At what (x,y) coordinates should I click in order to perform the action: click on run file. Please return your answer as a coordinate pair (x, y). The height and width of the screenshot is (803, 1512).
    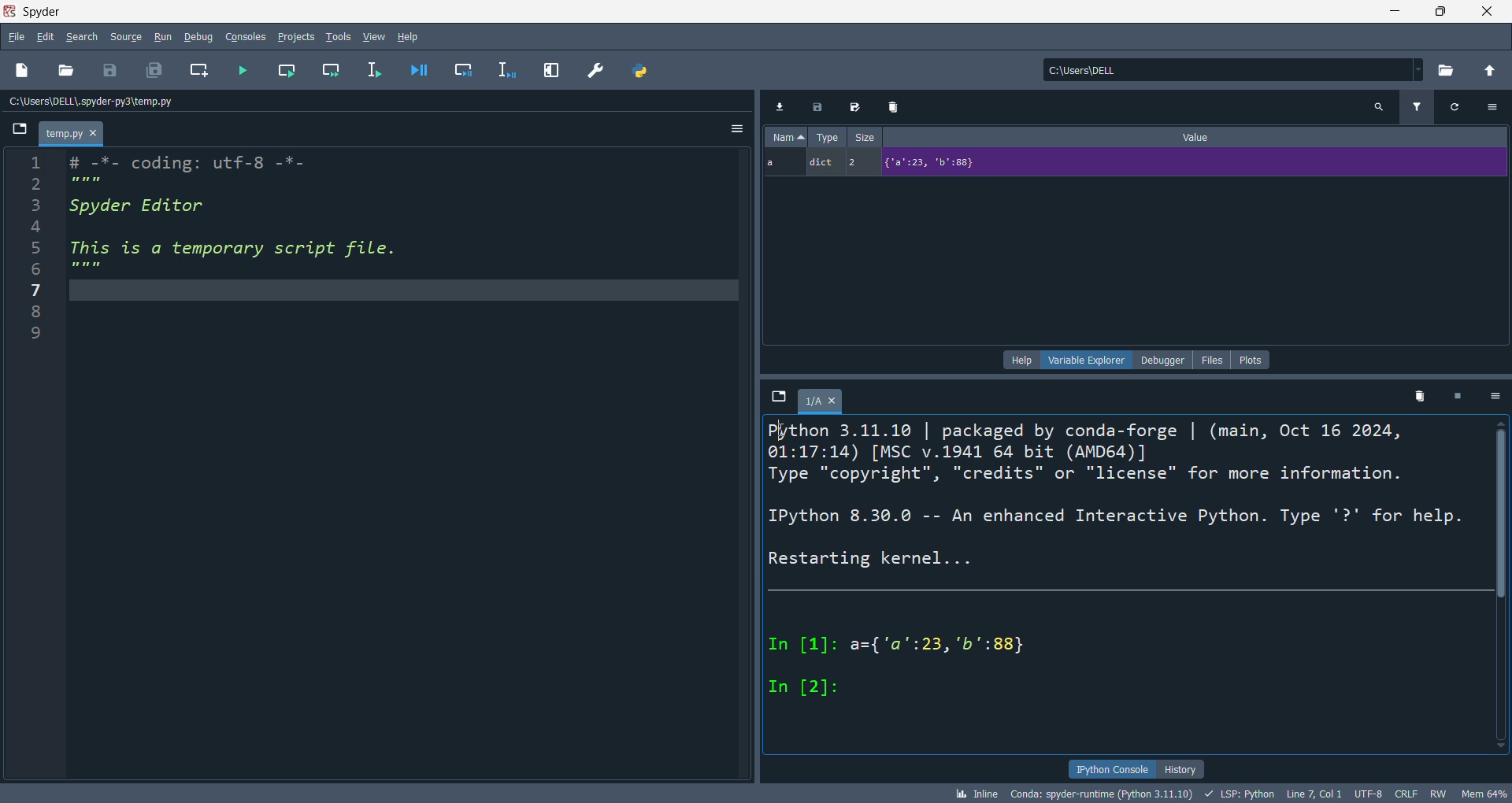
    Looking at the image, I should click on (244, 68).